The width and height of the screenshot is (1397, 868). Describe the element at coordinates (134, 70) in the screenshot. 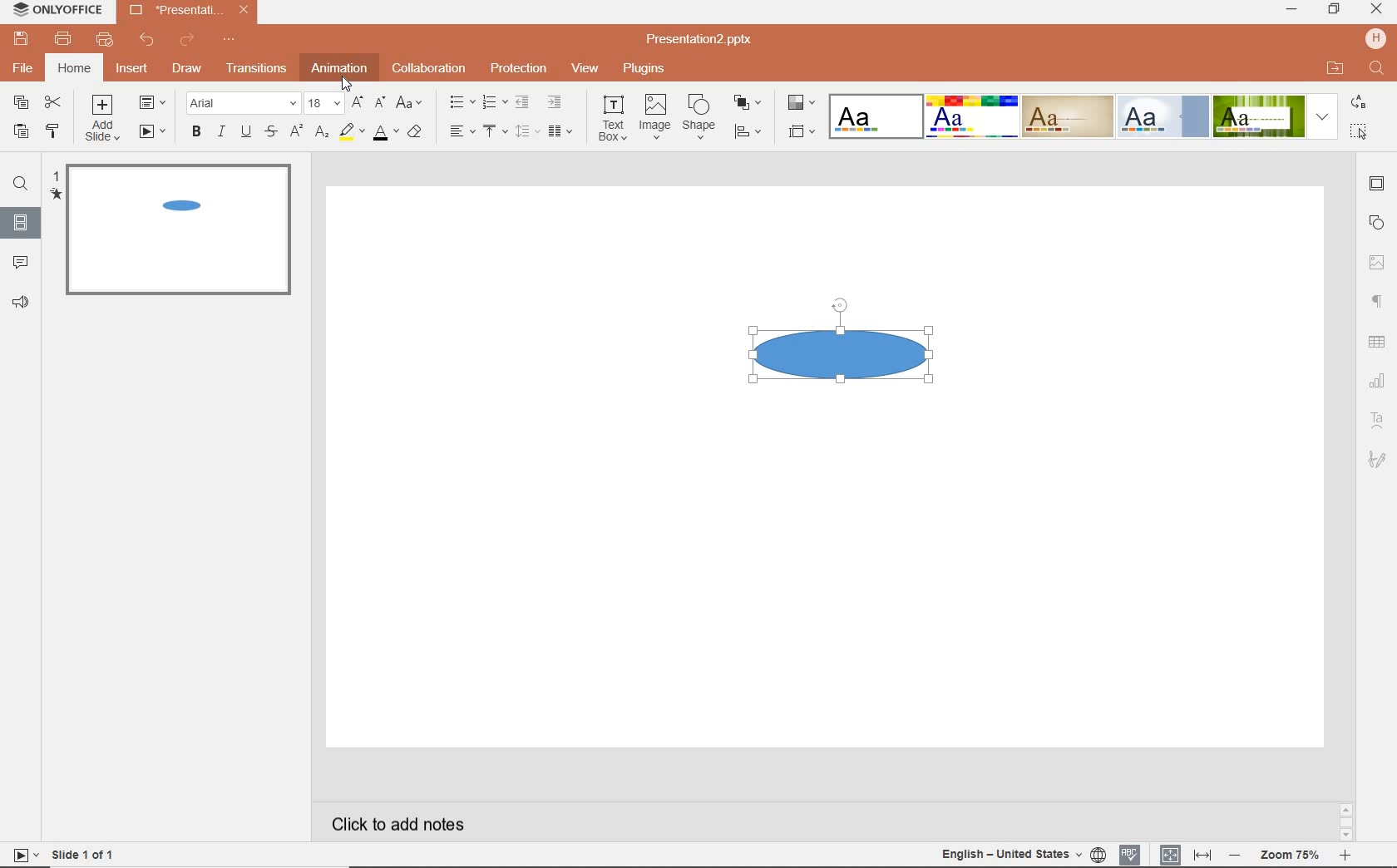

I see `insert` at that location.